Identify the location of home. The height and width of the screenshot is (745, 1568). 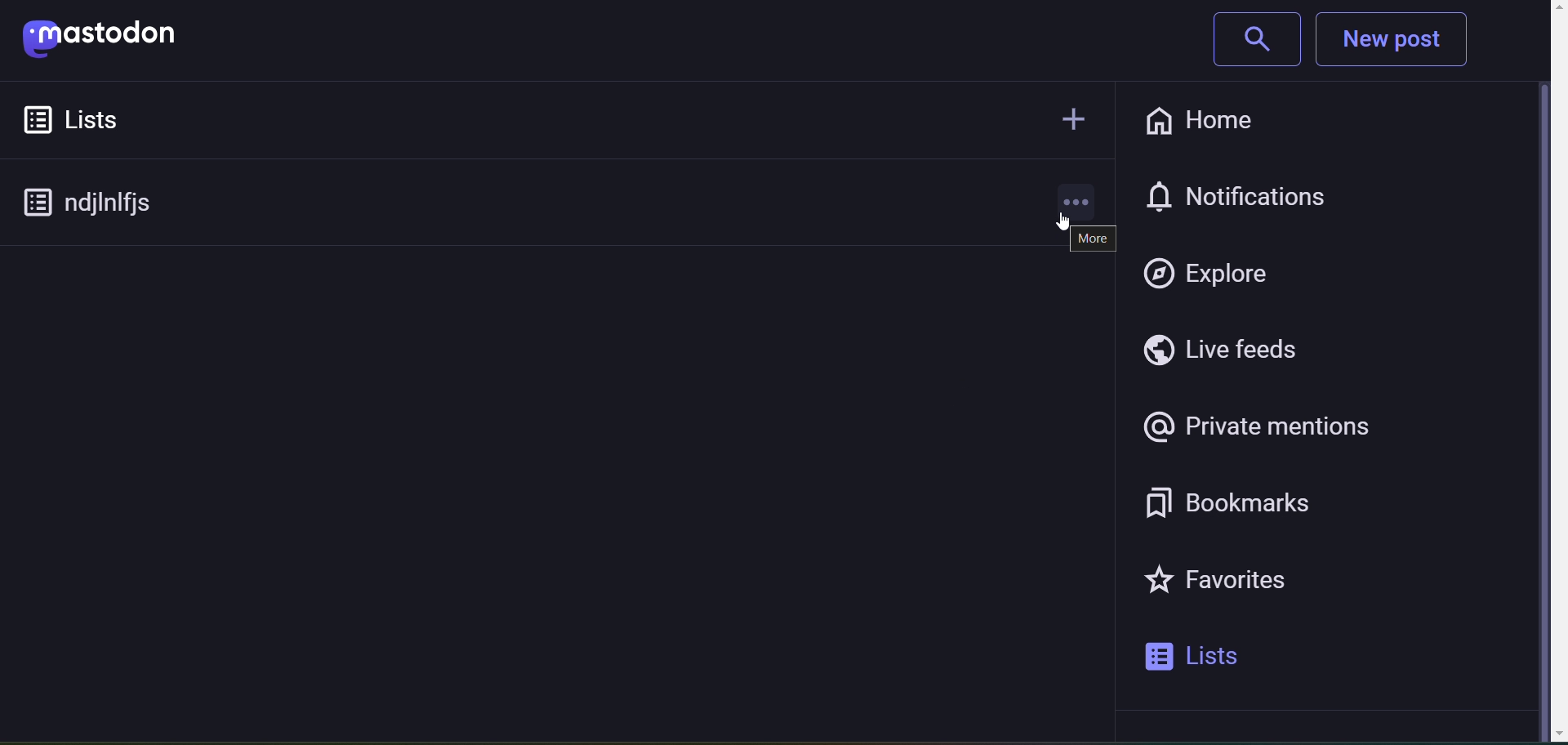
(1196, 118).